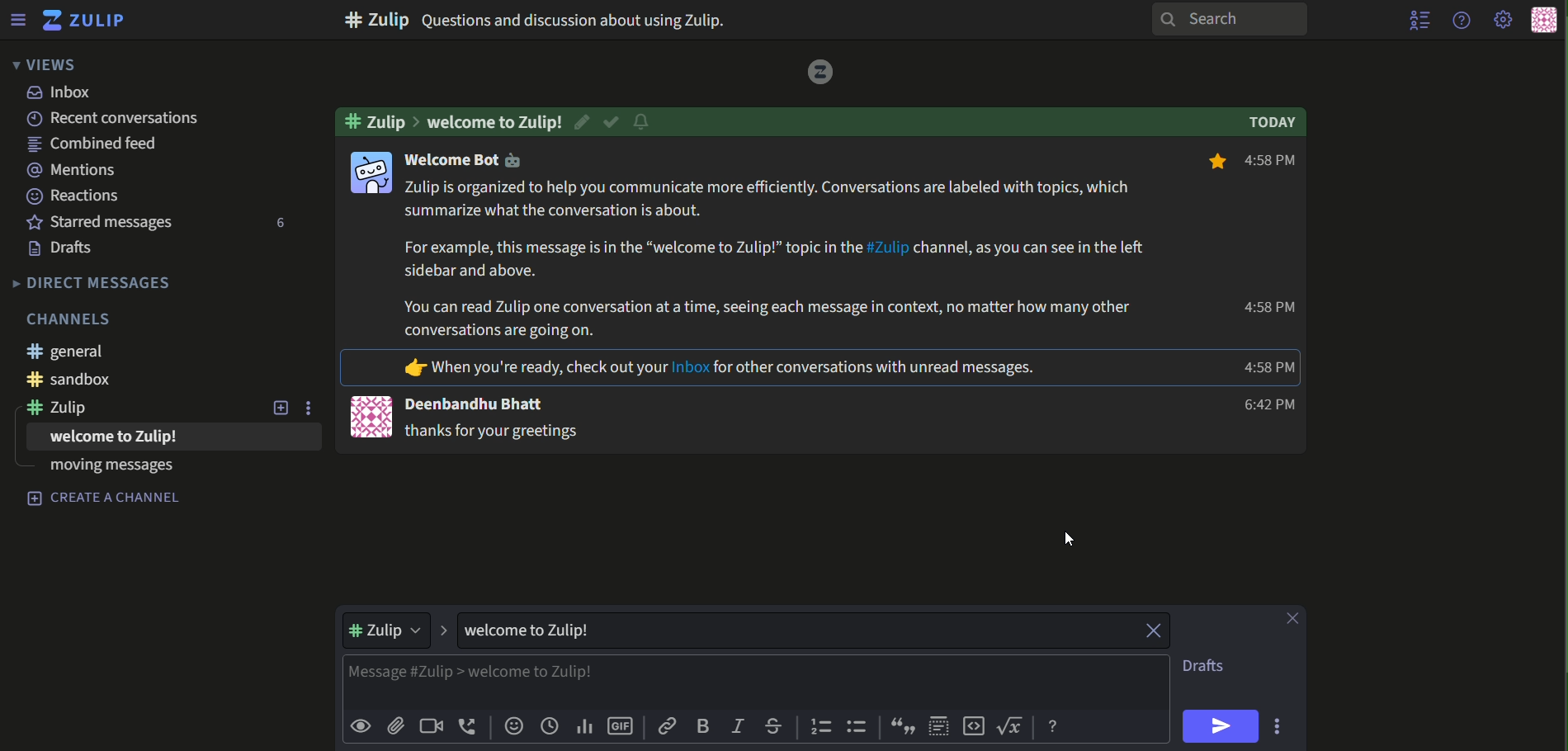 This screenshot has width=1568, height=751. I want to click on text, so click(778, 260).